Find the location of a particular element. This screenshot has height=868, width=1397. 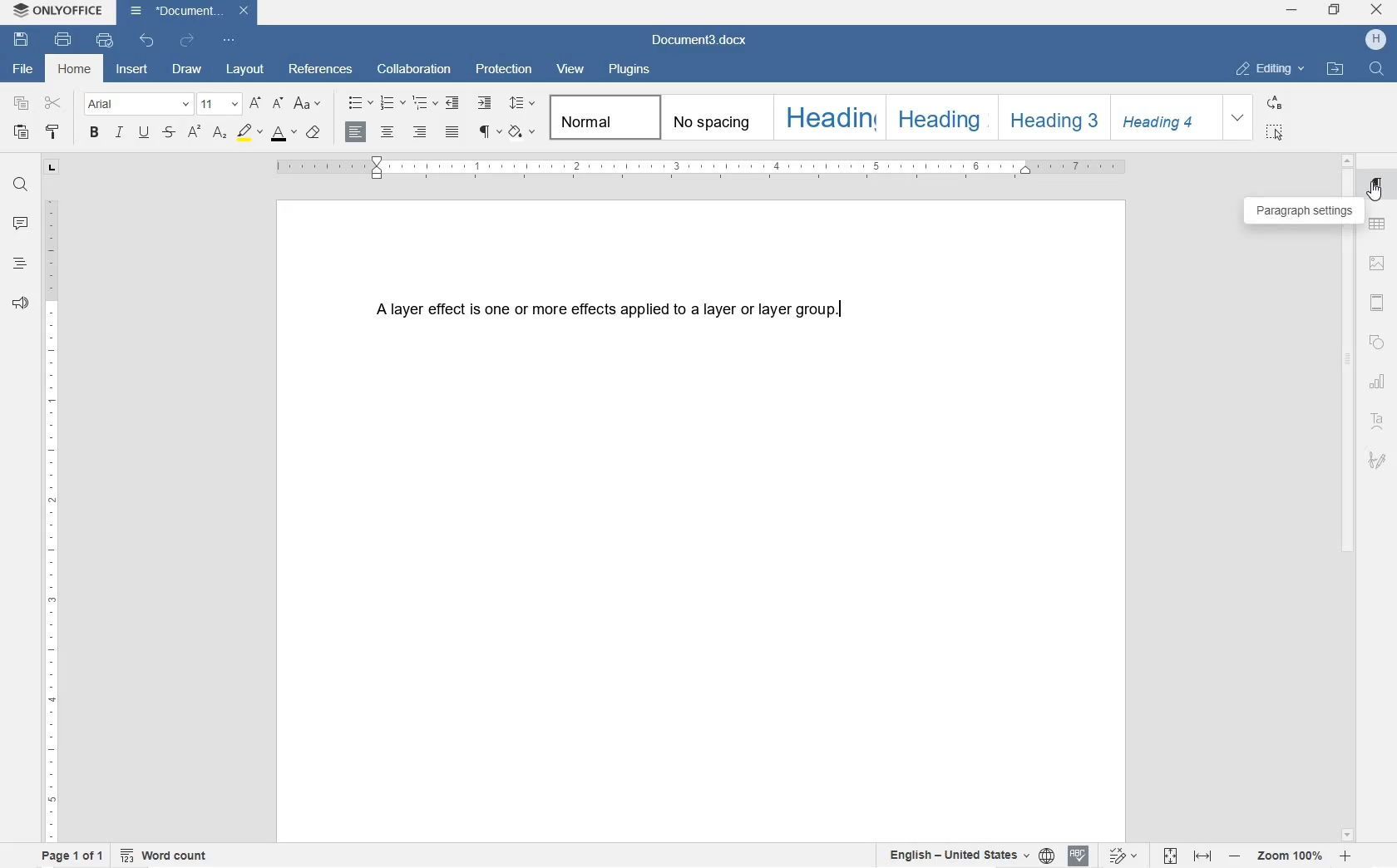

NO SPACING is located at coordinates (714, 118).